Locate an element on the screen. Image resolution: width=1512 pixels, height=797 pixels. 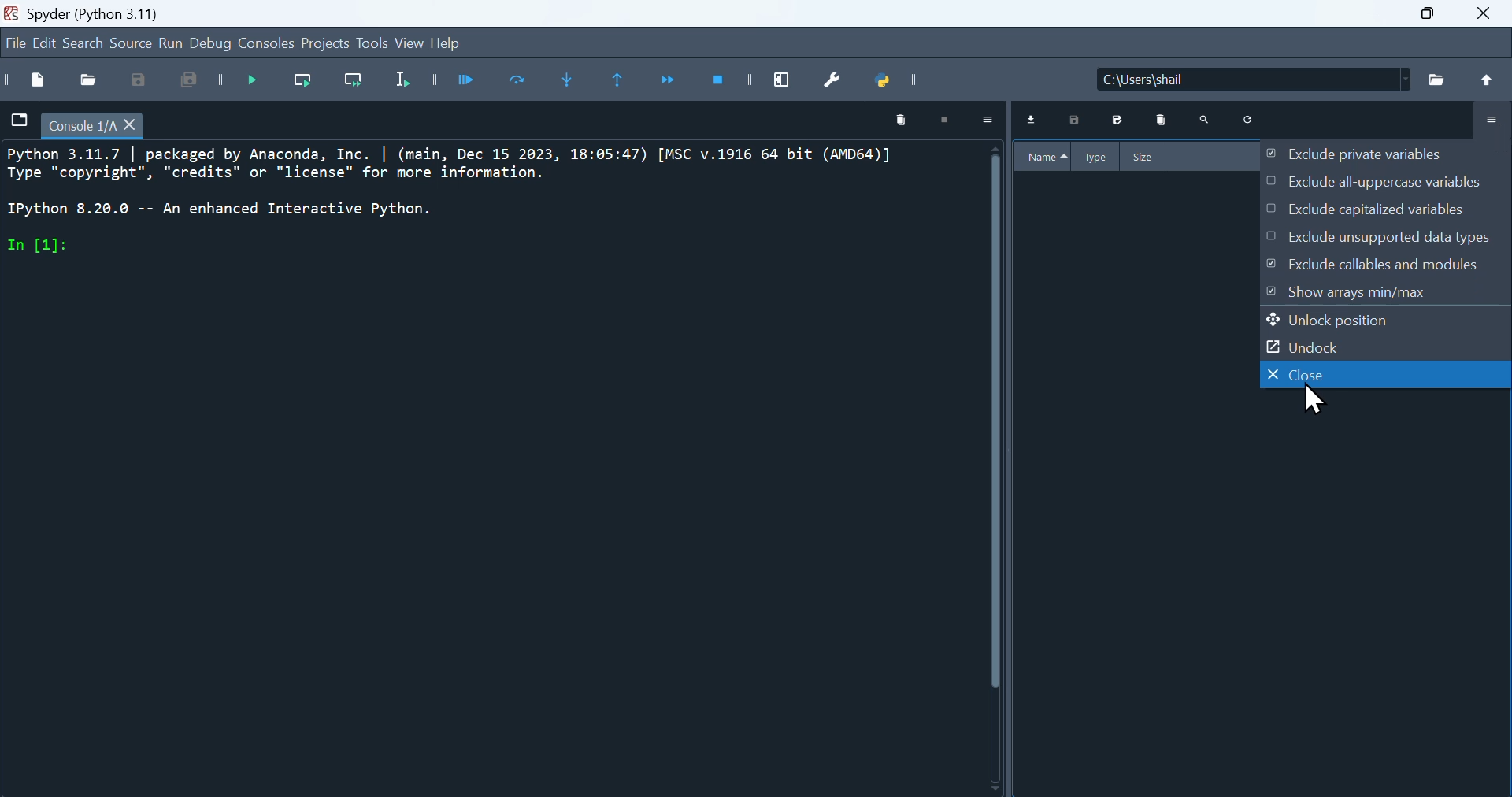
Preferences is located at coordinates (840, 82).